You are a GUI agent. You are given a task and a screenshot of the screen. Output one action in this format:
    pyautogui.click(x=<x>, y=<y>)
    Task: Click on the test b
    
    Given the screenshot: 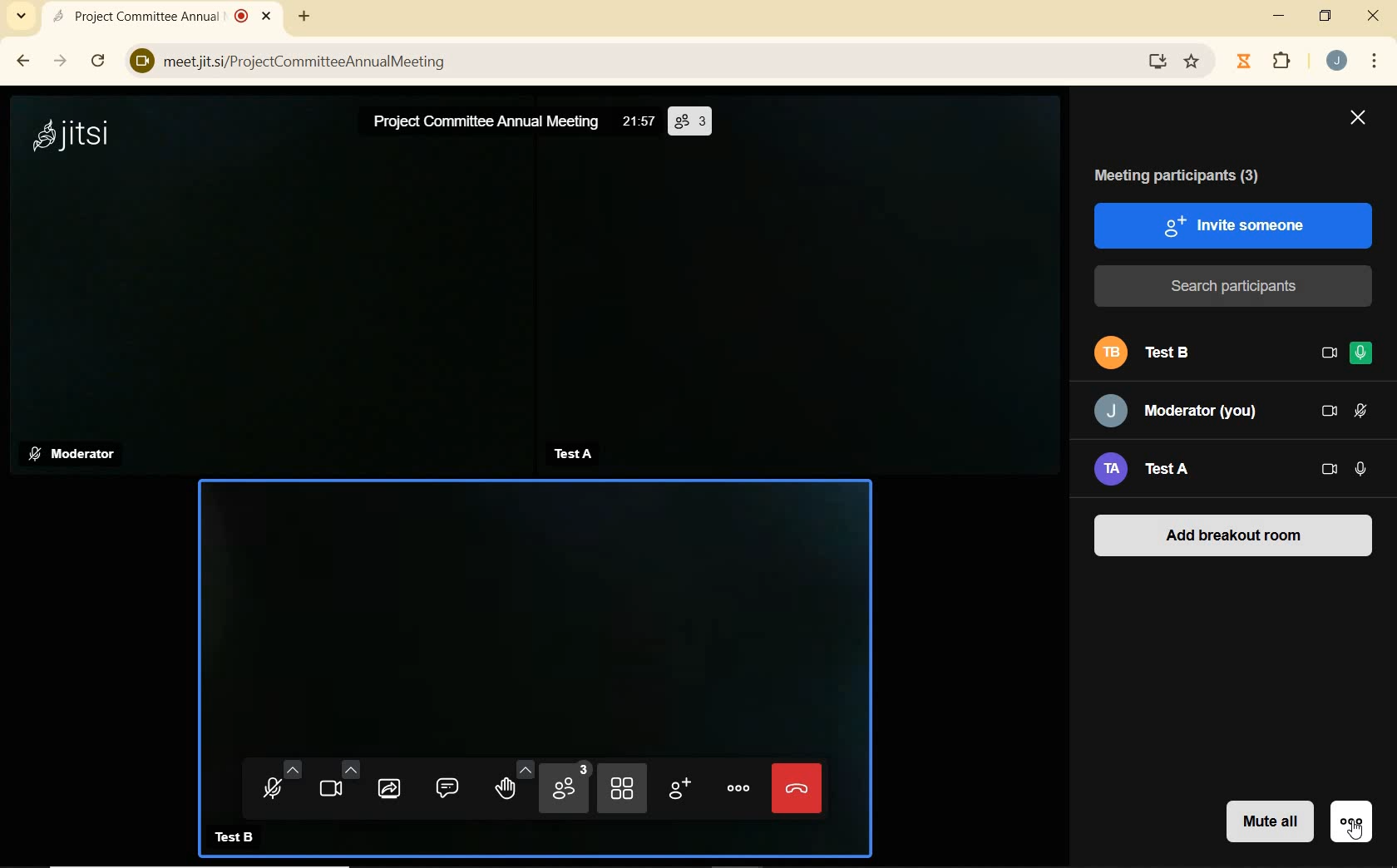 What is the action you would take?
    pyautogui.click(x=239, y=834)
    